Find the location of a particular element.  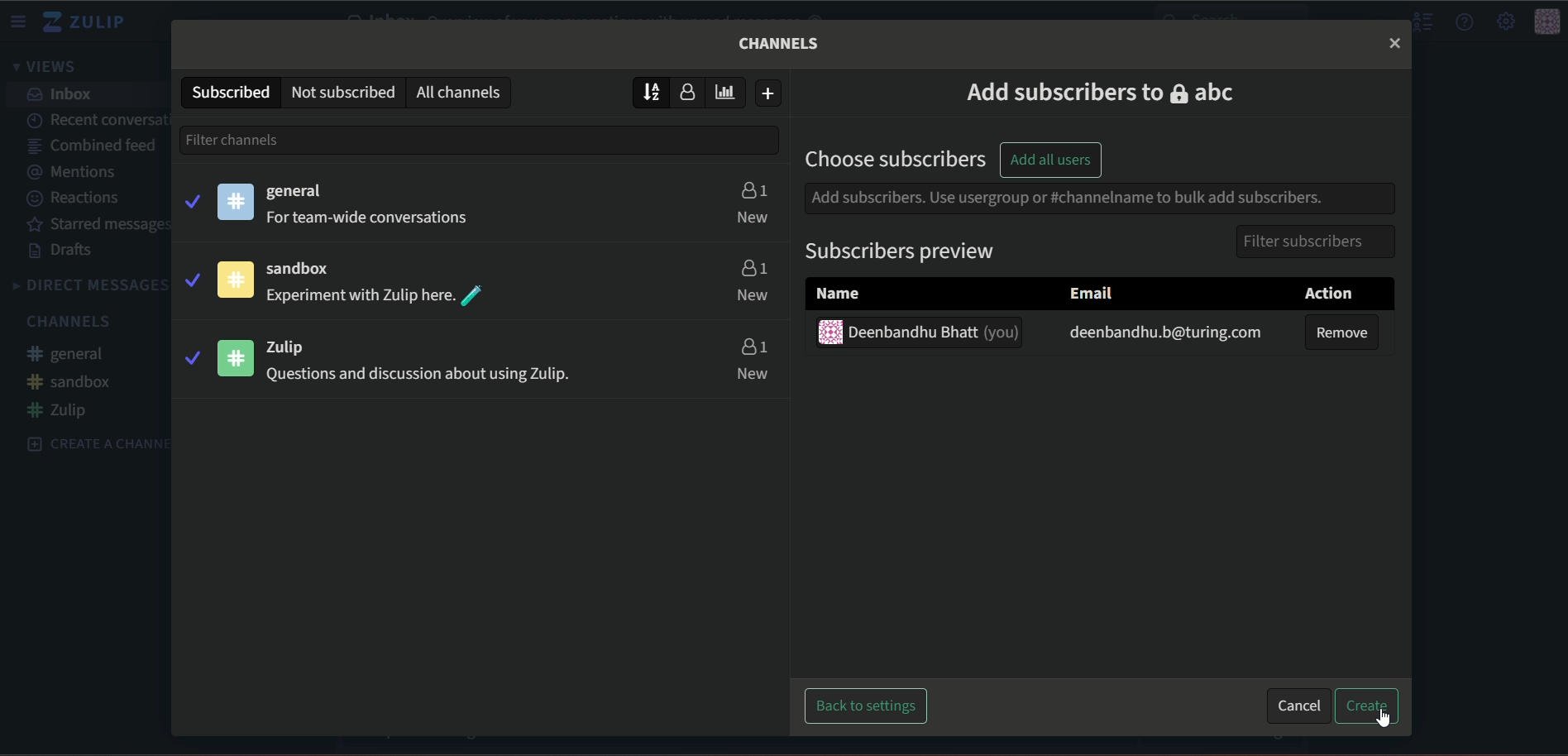

text is located at coordinates (781, 43).